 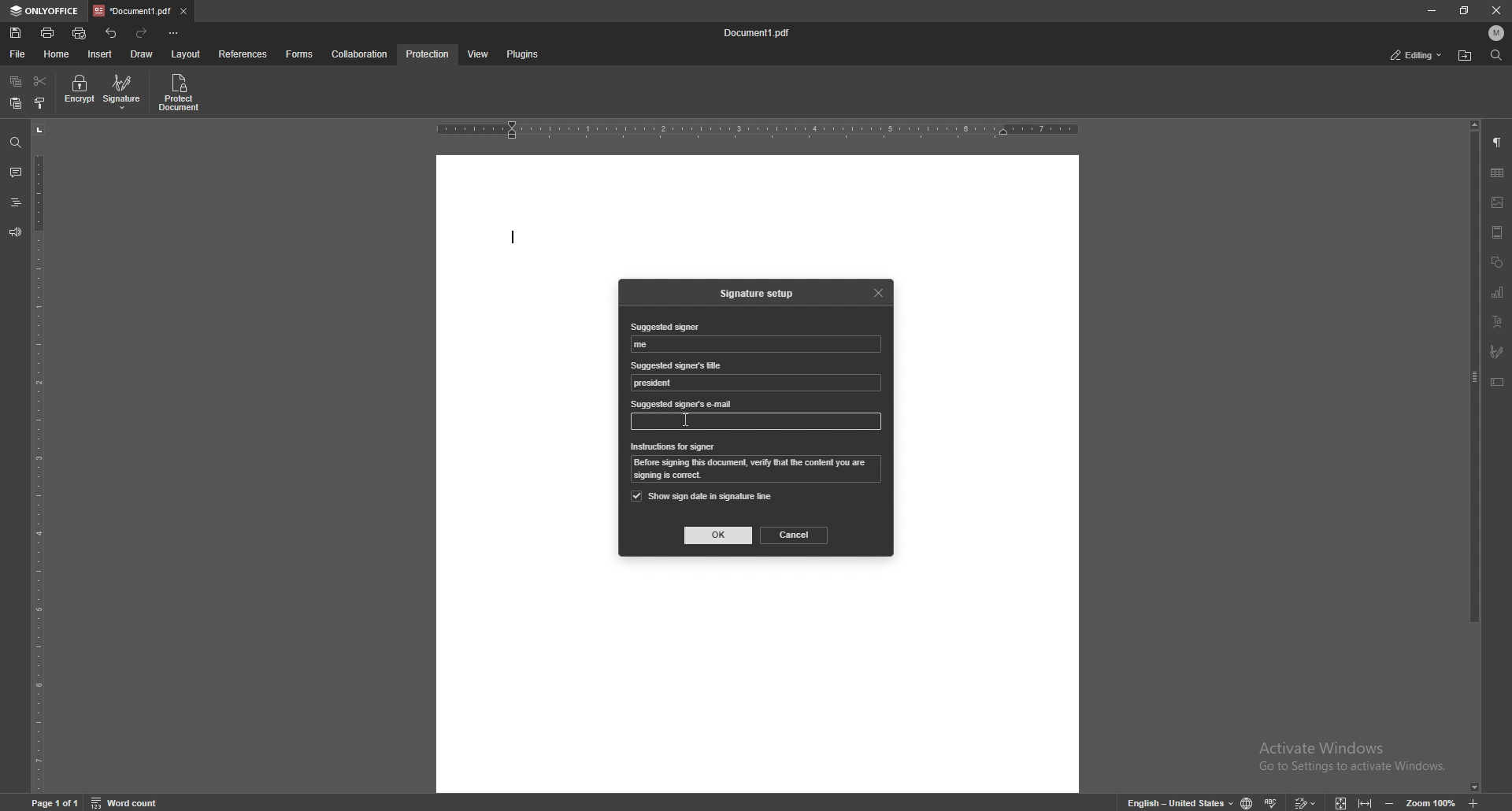 What do you see at coordinates (521, 55) in the screenshot?
I see `plugins` at bounding box center [521, 55].